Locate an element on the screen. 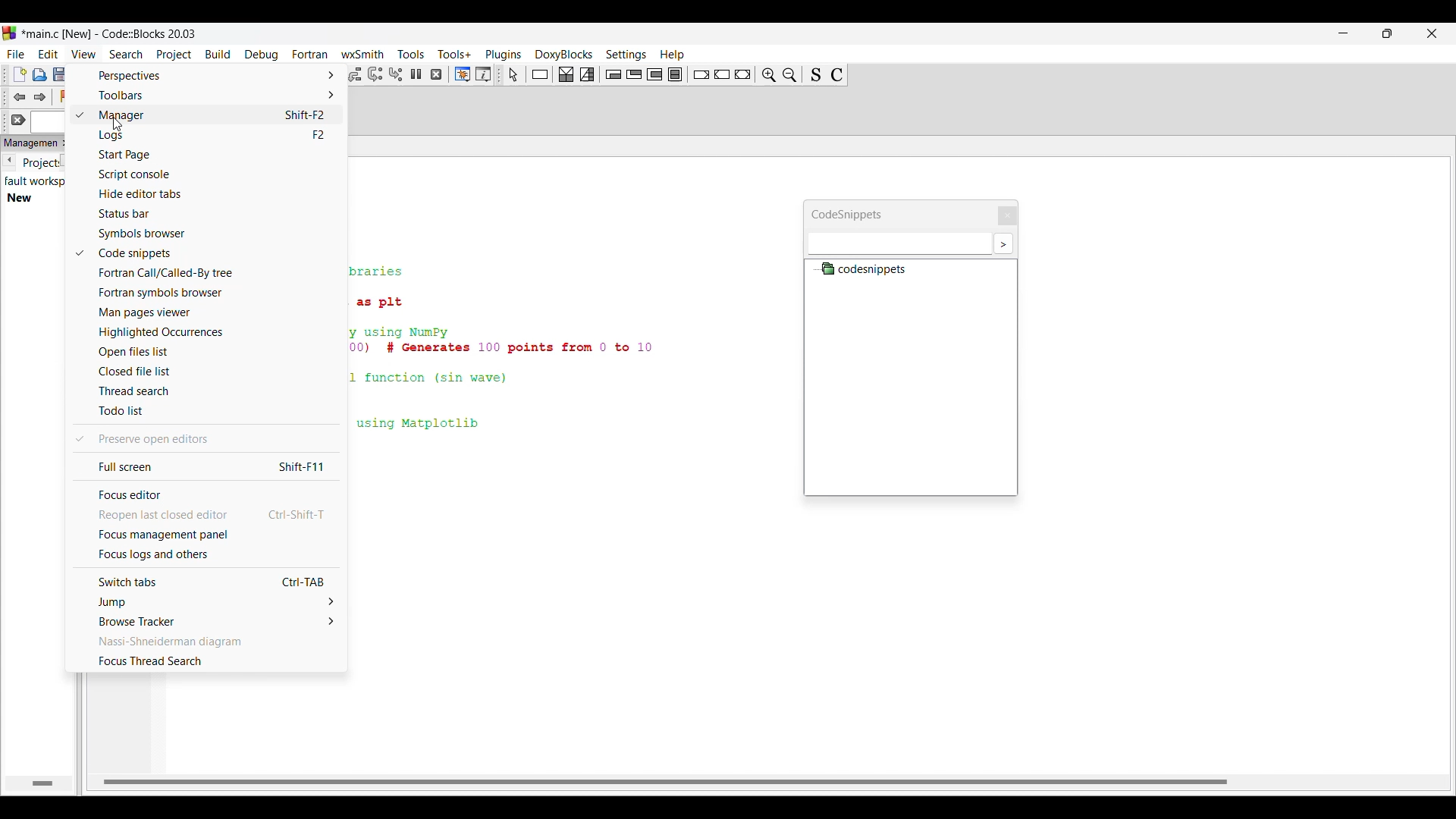 This screenshot has width=1456, height=819. Help menu is located at coordinates (672, 55).